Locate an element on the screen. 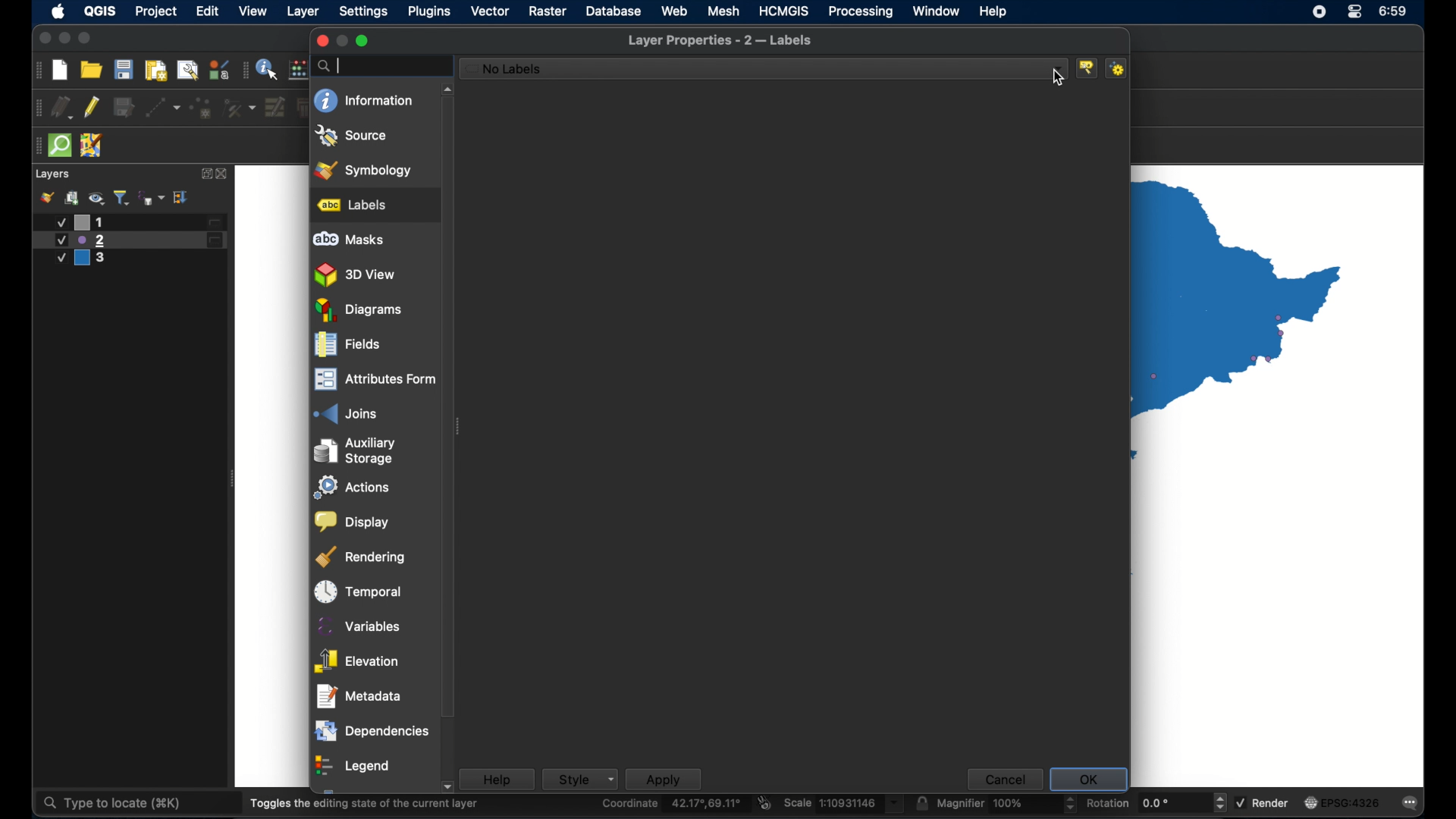  joins is located at coordinates (344, 413).